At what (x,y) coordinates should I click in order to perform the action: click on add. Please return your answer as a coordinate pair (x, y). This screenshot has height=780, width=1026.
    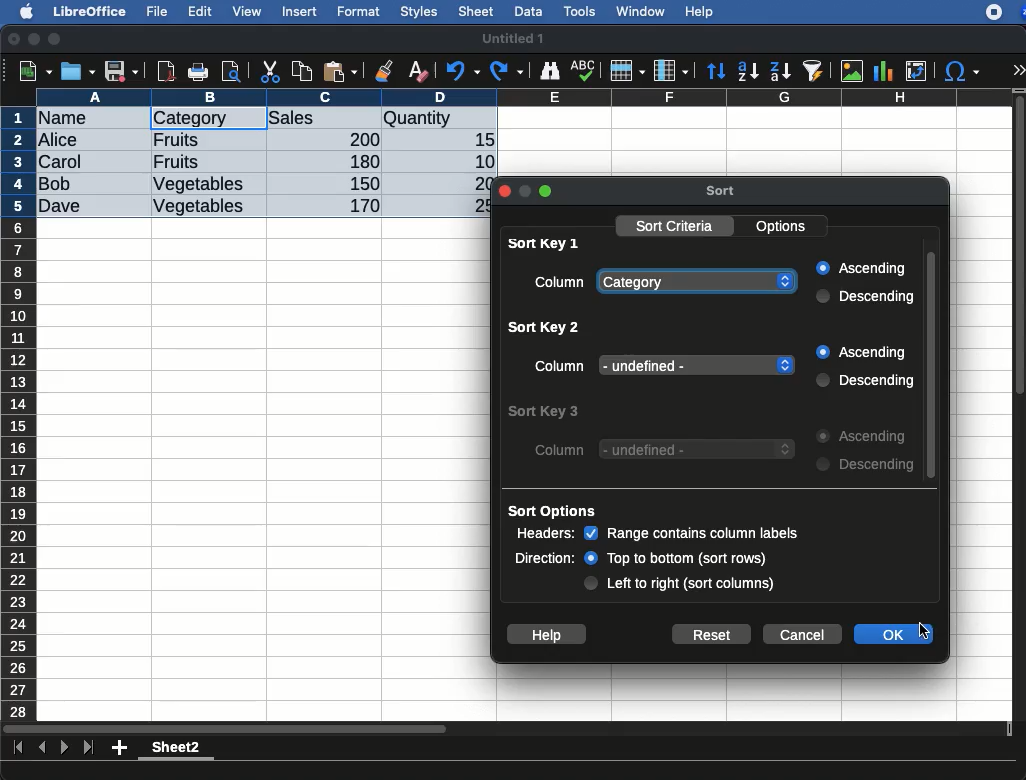
    Looking at the image, I should click on (121, 747).